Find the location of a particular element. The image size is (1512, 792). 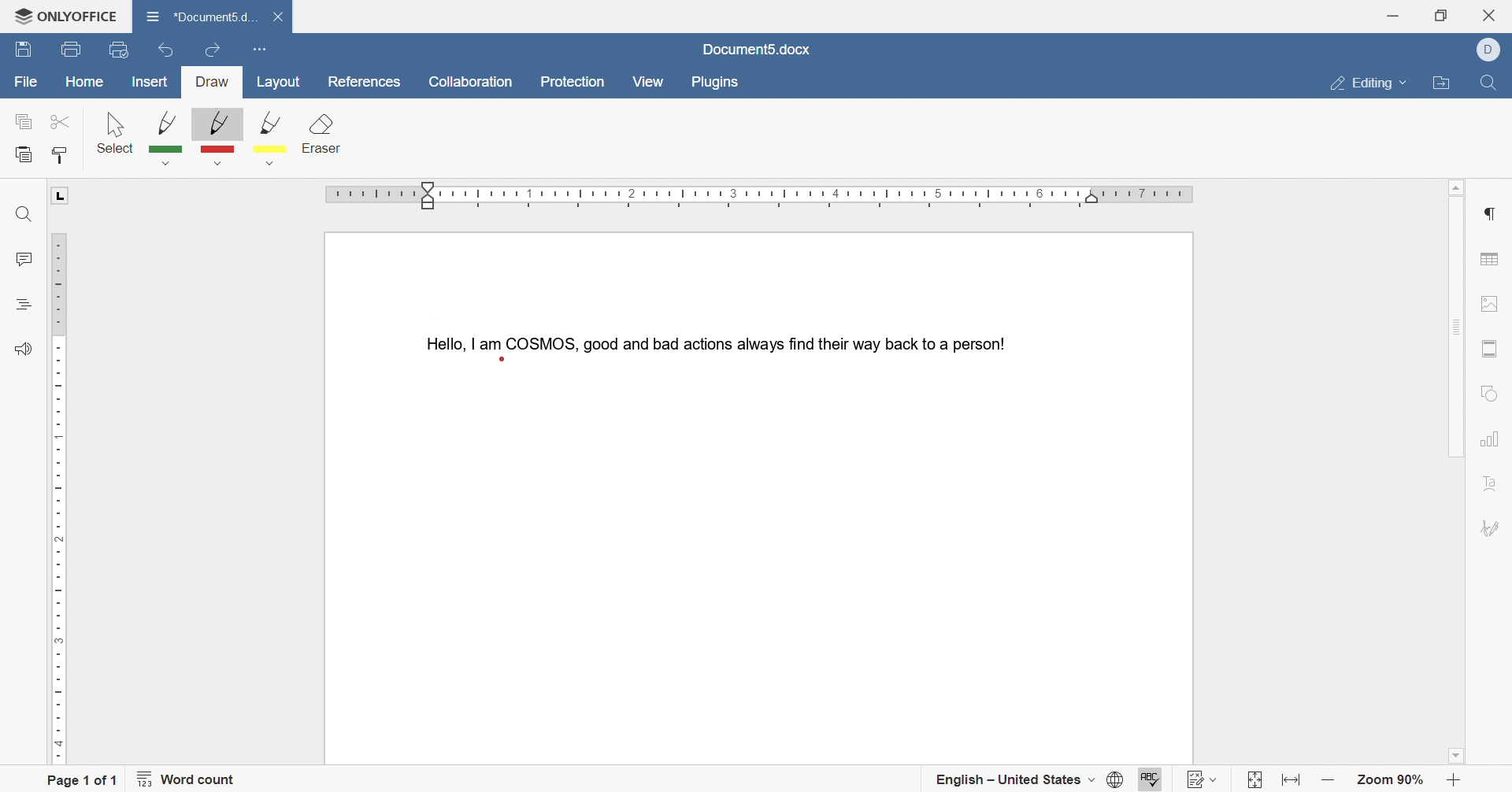

home is located at coordinates (86, 81).